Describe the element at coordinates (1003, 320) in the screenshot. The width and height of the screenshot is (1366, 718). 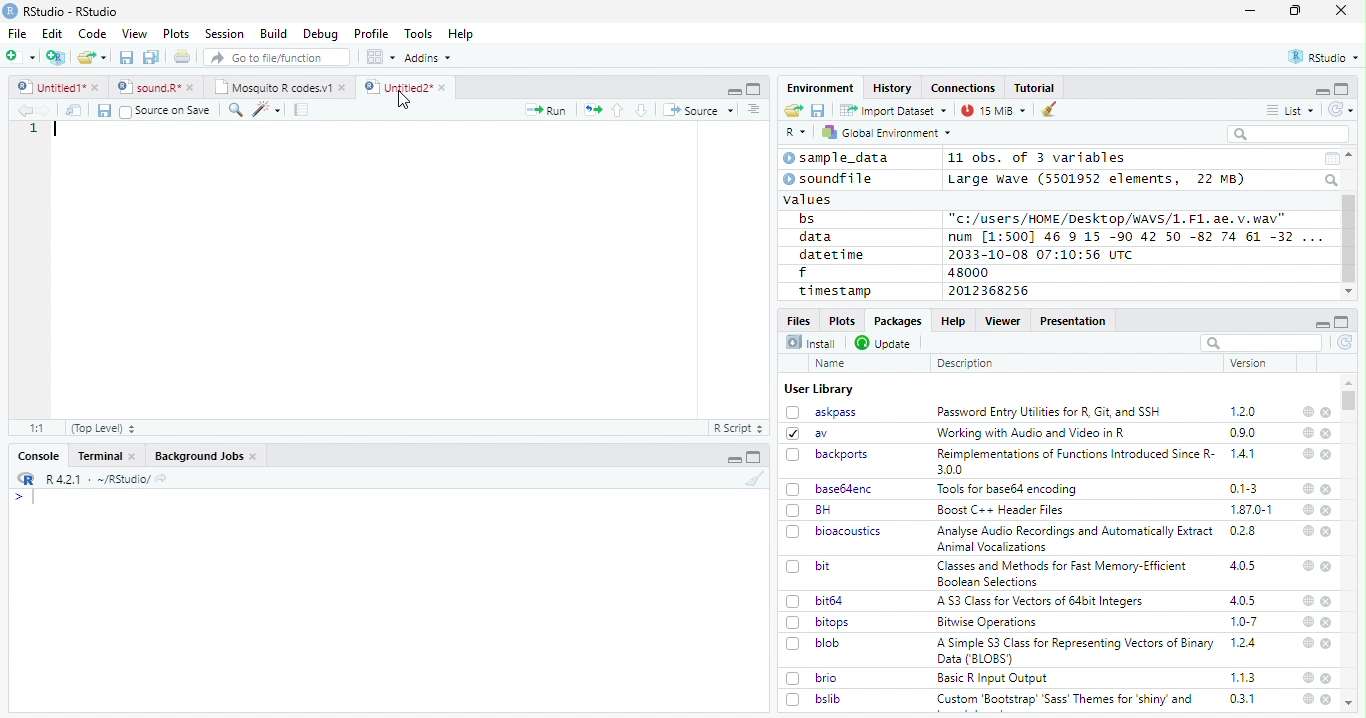
I see `Viewer` at that location.